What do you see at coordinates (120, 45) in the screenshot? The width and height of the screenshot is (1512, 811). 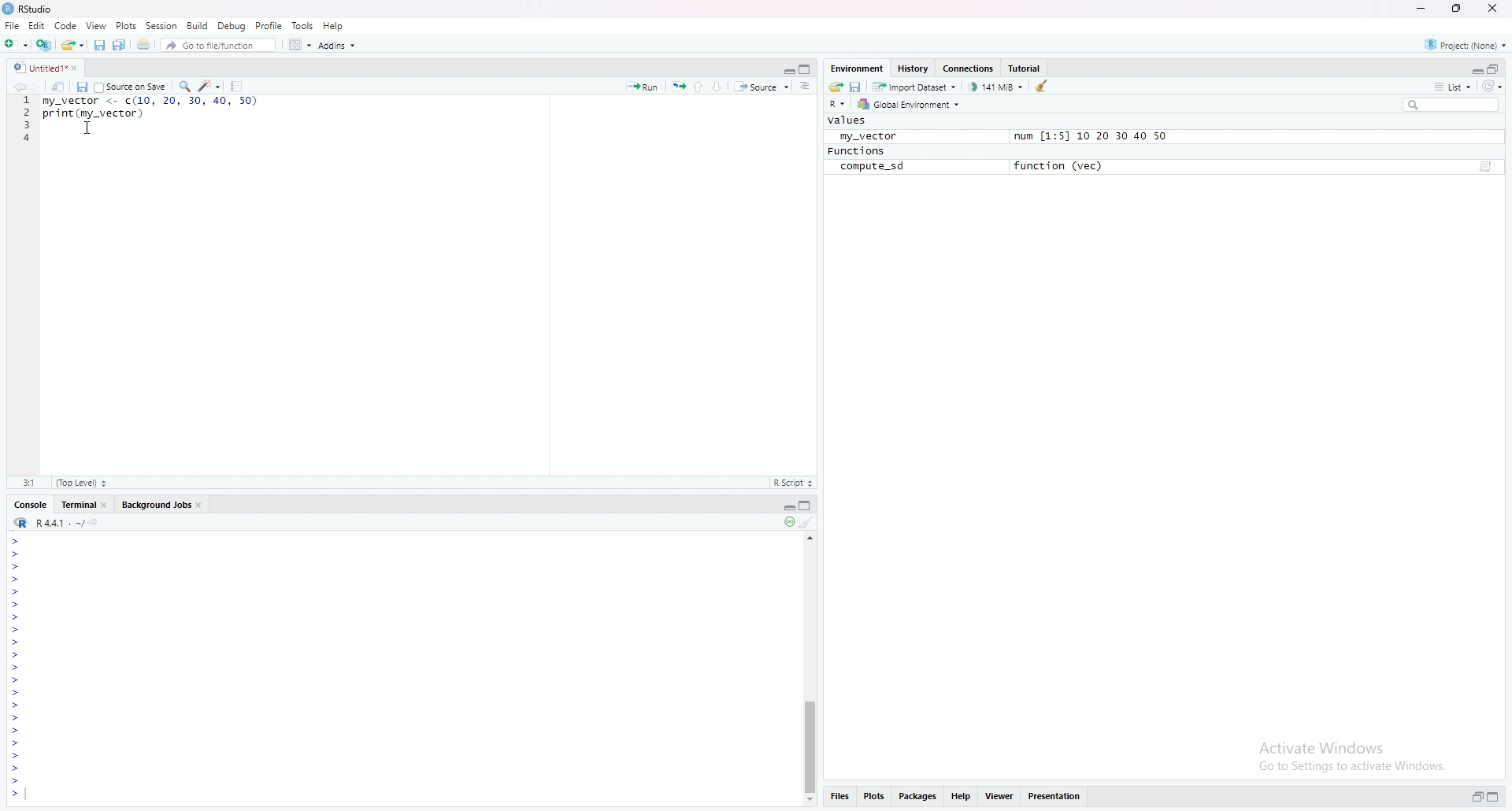 I see `Save all open documents (Ctrl + Alt + S)` at bounding box center [120, 45].